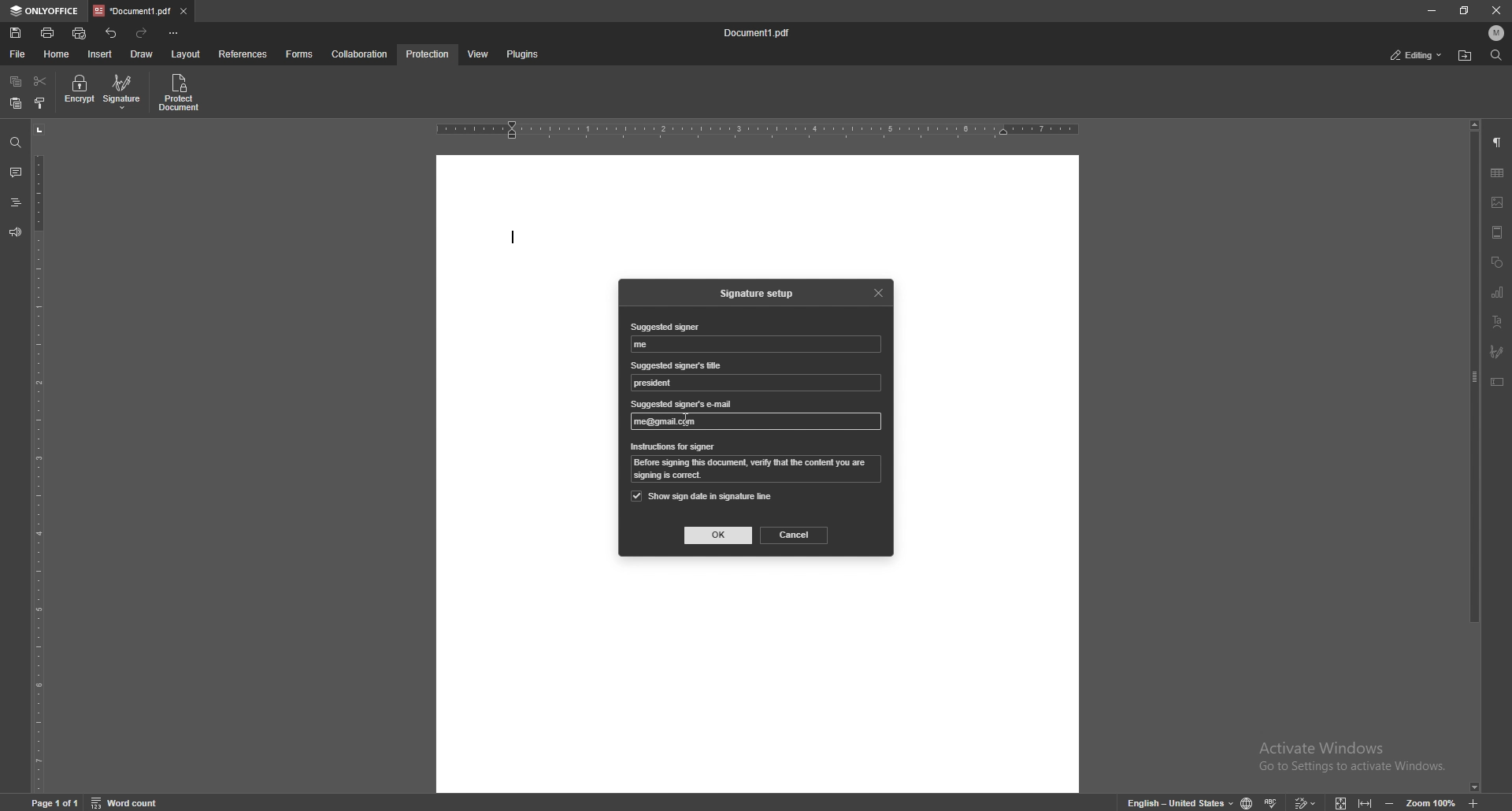 The height and width of the screenshot is (811, 1512). I want to click on paste, so click(15, 104).